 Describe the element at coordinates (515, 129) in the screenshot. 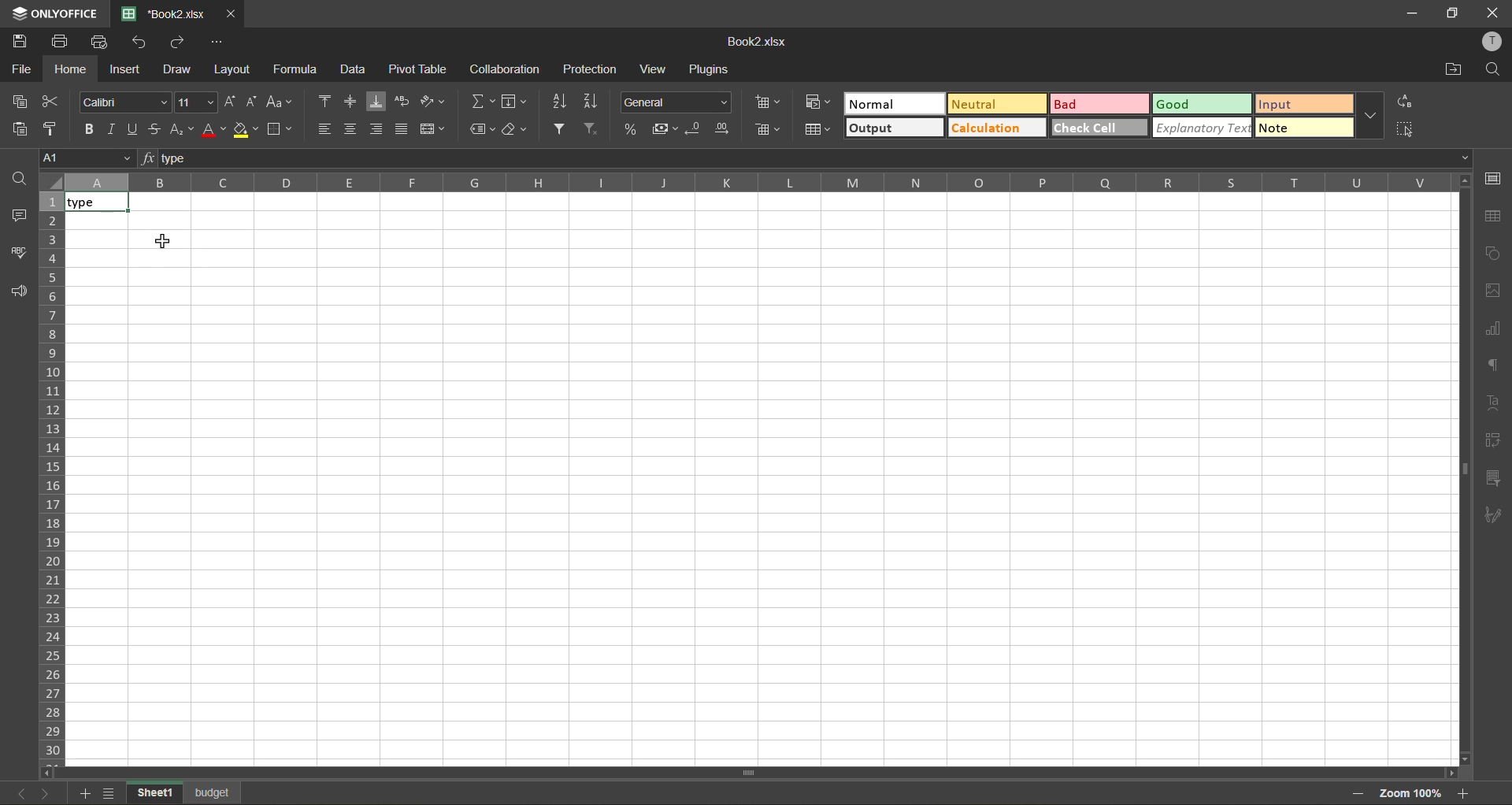

I see `clear` at that location.